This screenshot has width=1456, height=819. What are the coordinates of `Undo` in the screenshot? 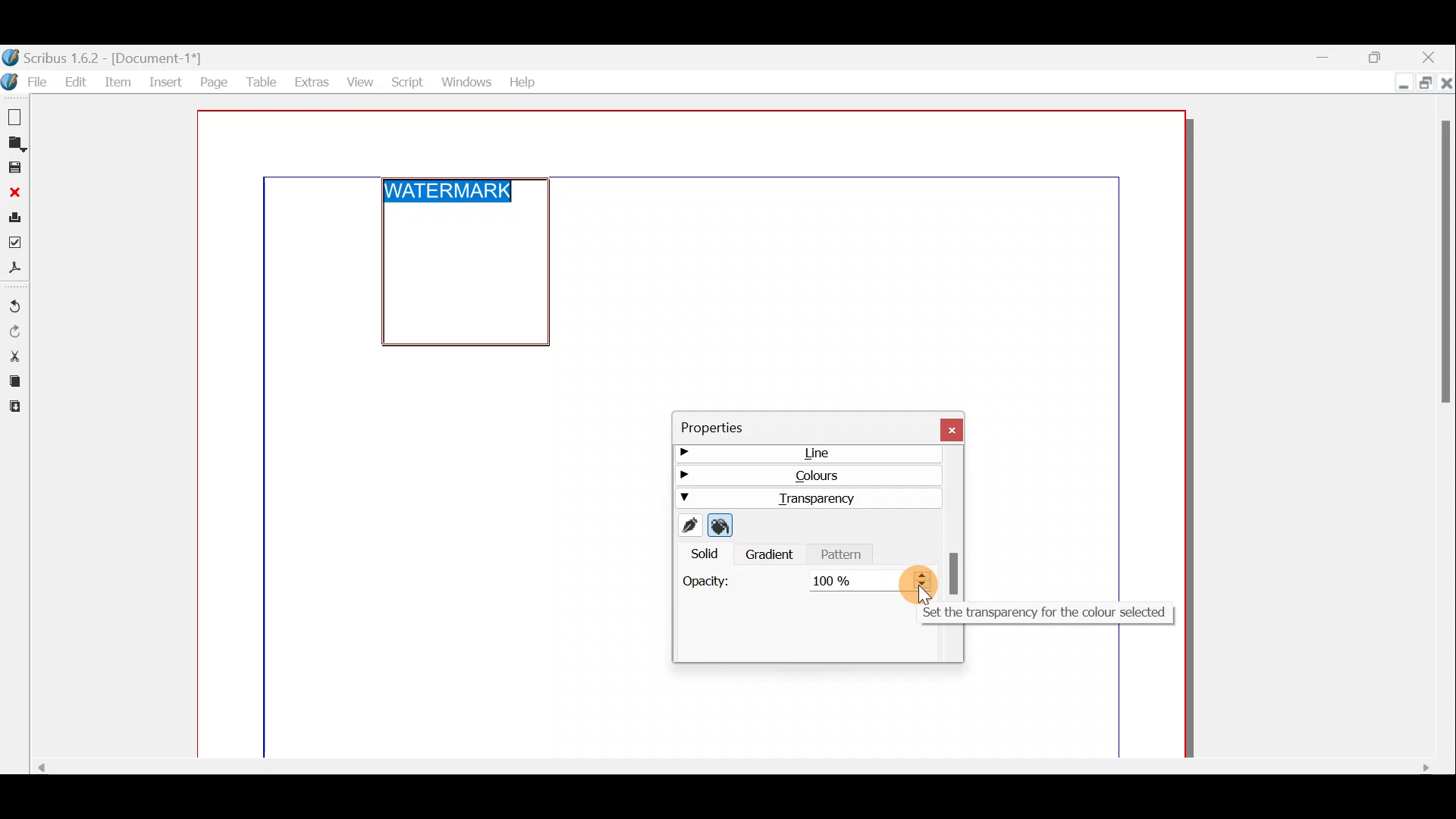 It's located at (14, 307).